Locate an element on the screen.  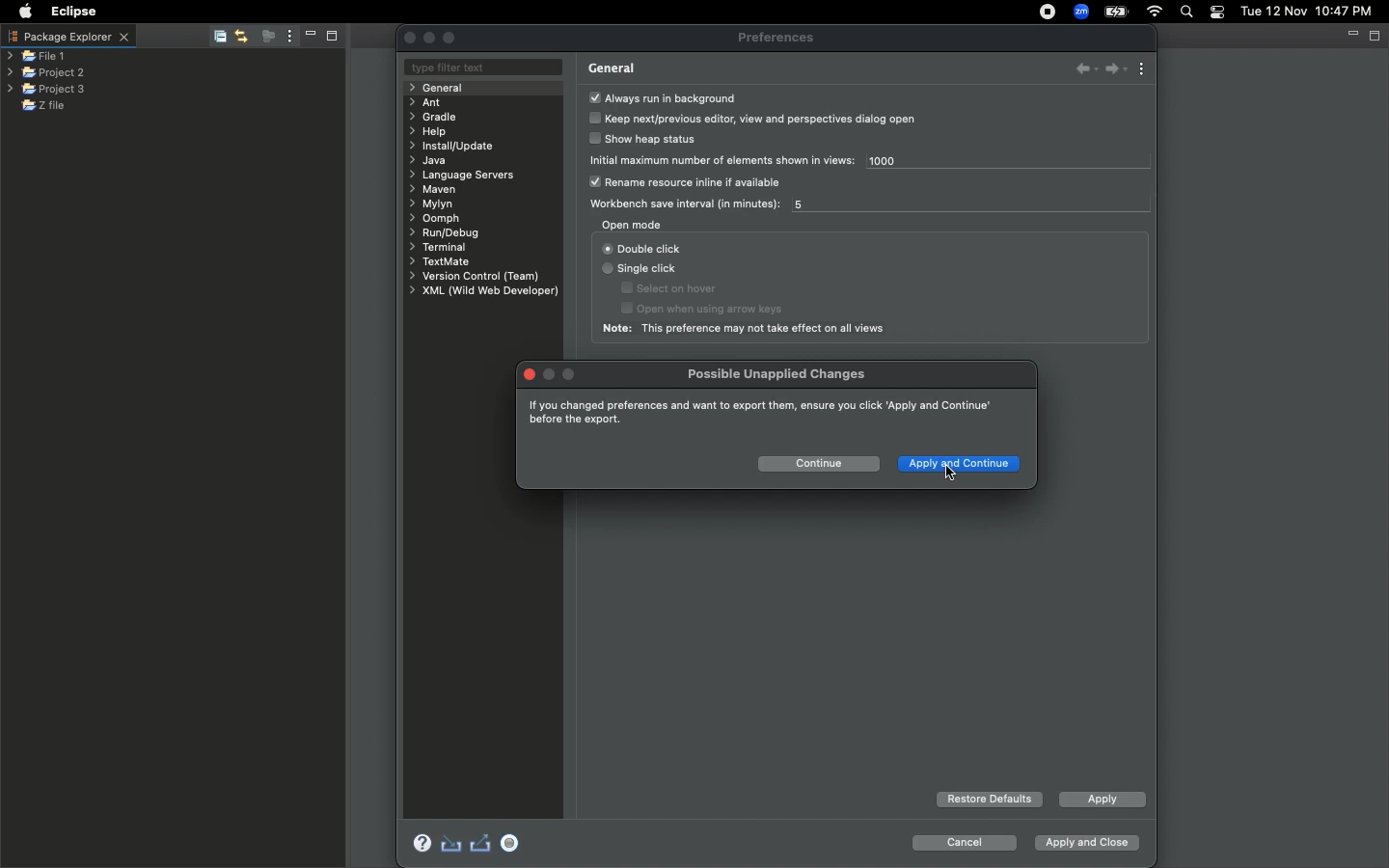
Record is located at coordinates (514, 843).